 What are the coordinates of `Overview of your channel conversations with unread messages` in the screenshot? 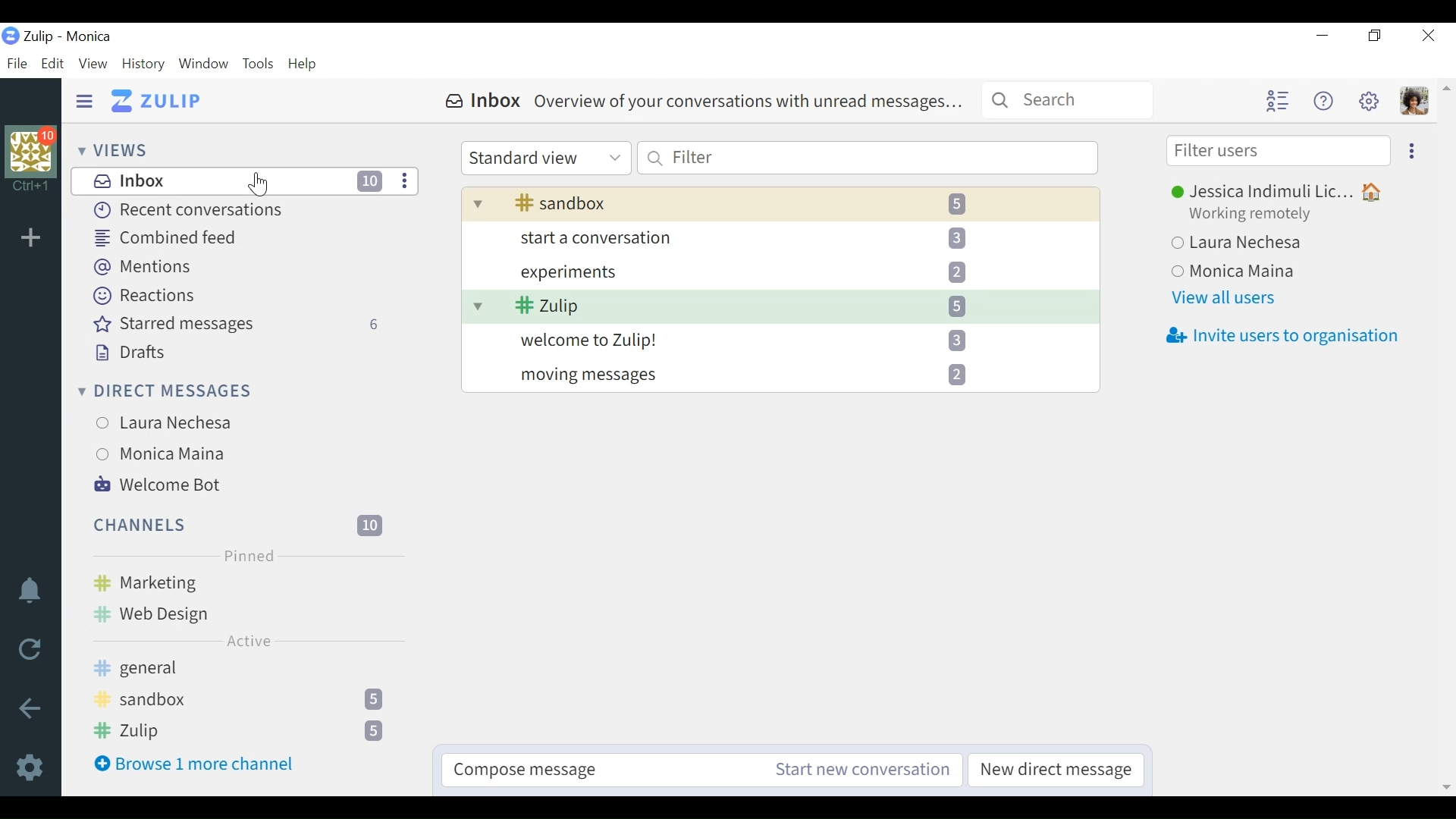 It's located at (780, 203).